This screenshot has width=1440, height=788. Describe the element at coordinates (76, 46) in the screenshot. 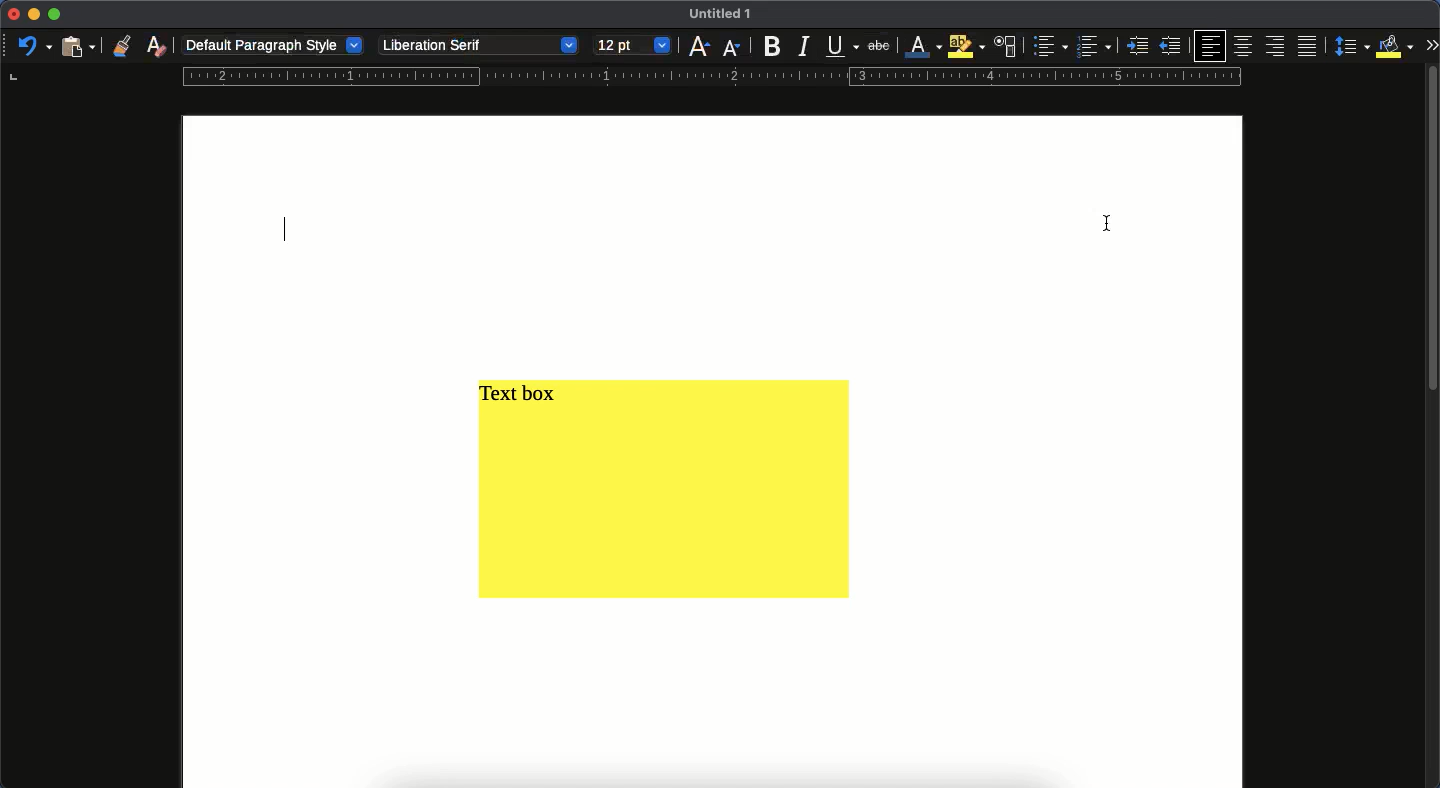

I see `paste` at that location.